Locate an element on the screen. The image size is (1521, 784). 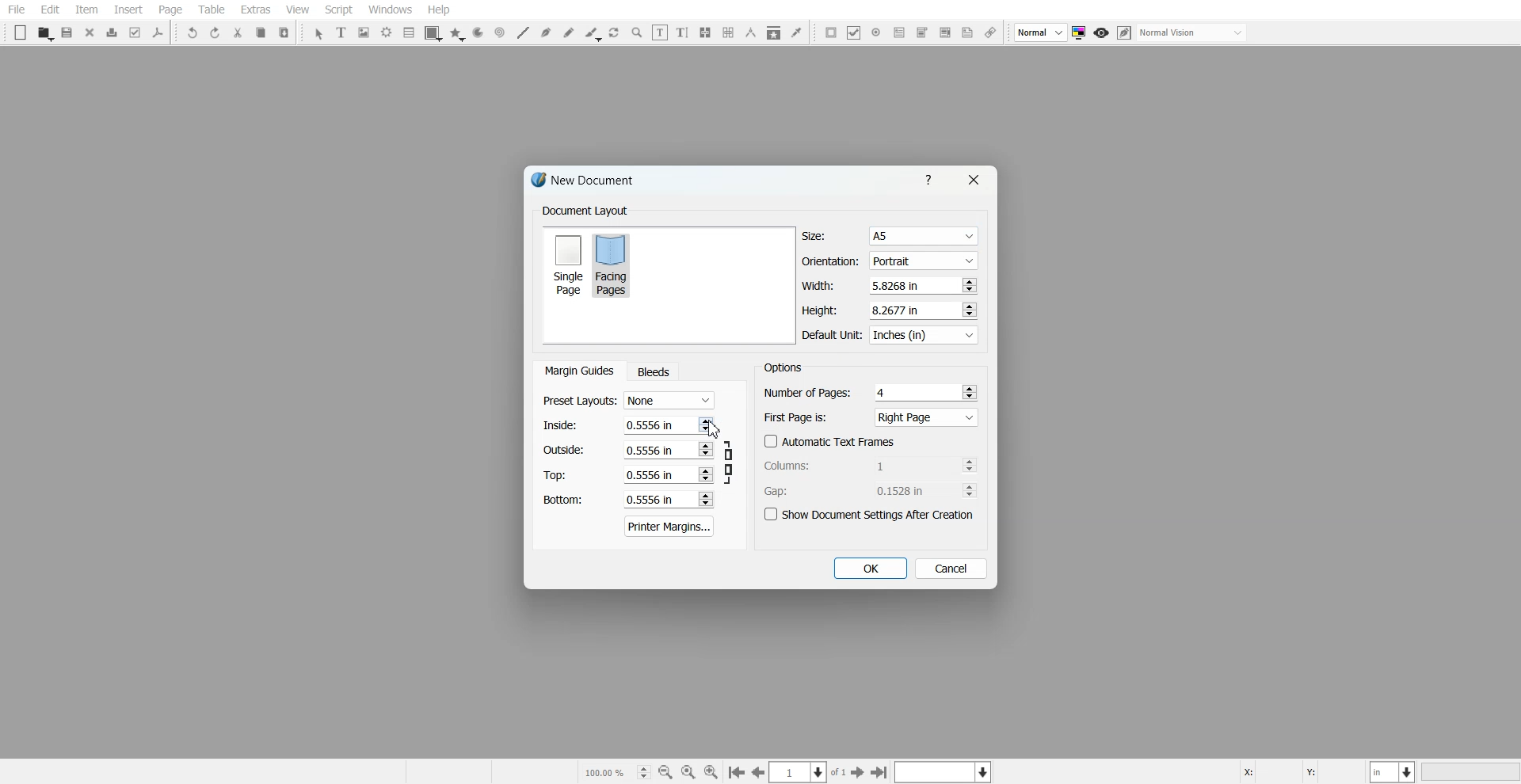
Automatic Text Frames is located at coordinates (830, 441).